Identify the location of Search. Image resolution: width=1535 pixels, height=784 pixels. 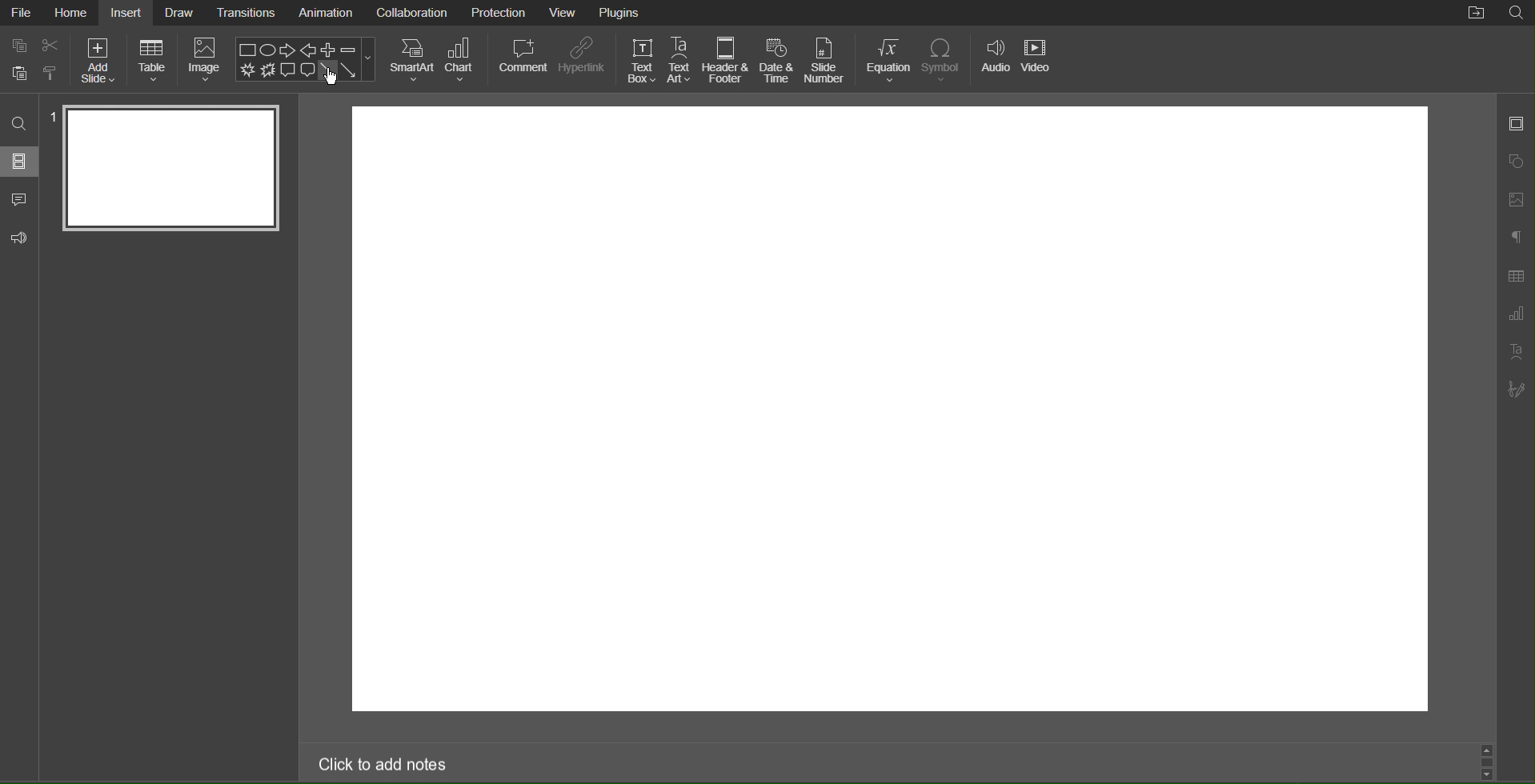
(1516, 14).